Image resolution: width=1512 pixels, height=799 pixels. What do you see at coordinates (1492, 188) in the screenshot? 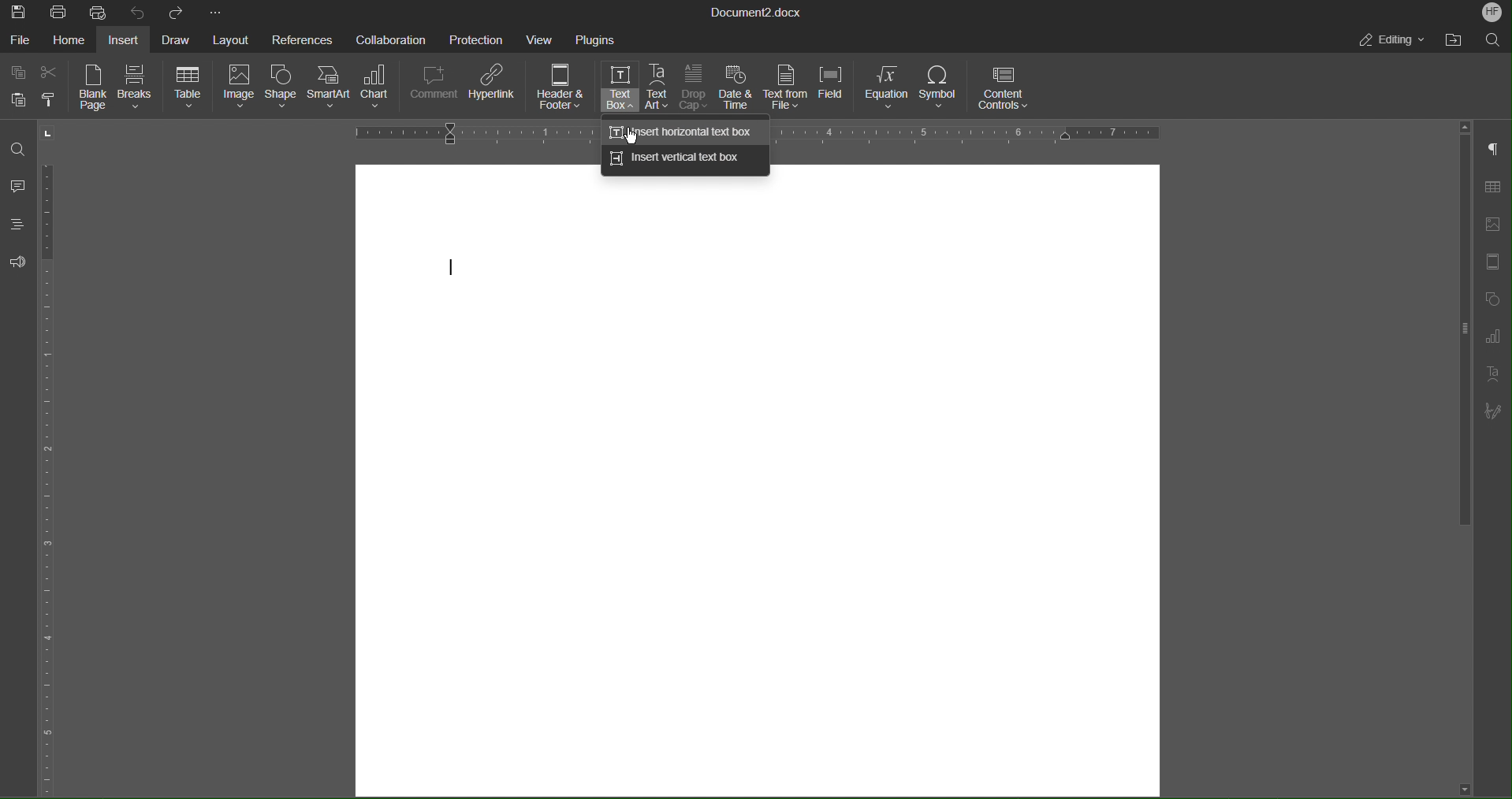
I see `Table` at bounding box center [1492, 188].